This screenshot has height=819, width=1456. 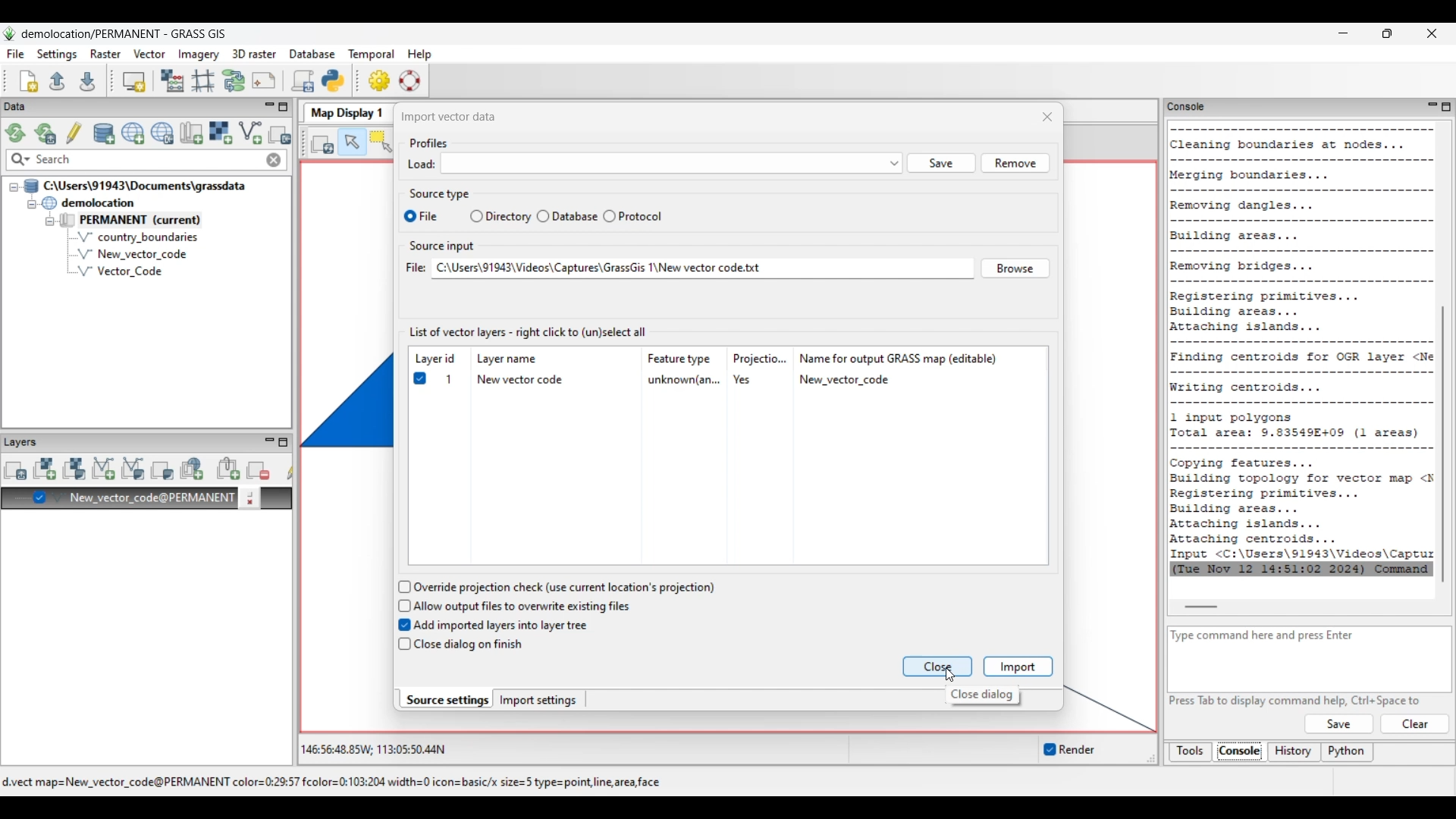 I want to click on Close input made to quick search, so click(x=274, y=160).